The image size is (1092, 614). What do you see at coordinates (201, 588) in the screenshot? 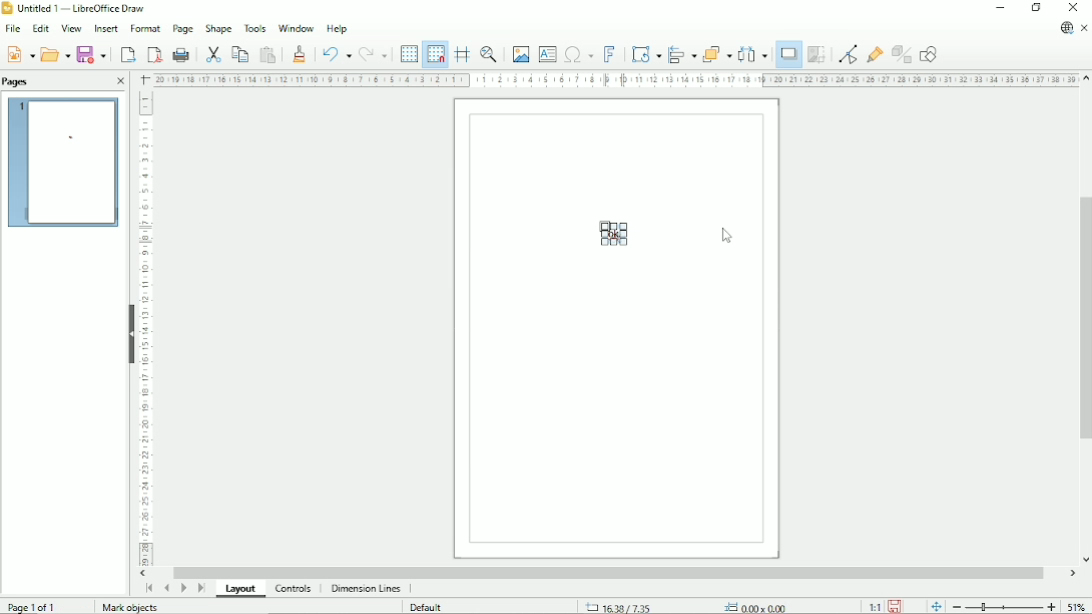
I see `Scroll to last page` at bounding box center [201, 588].